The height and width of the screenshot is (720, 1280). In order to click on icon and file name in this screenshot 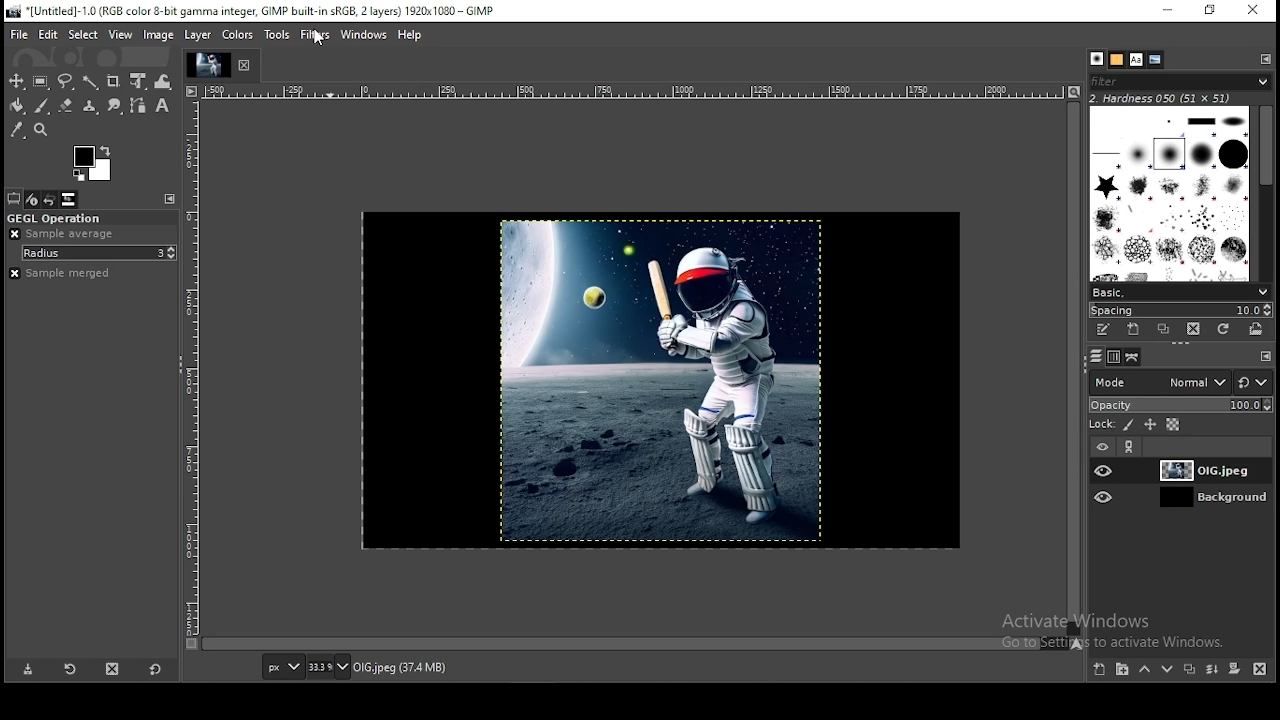, I will do `click(253, 11)`.